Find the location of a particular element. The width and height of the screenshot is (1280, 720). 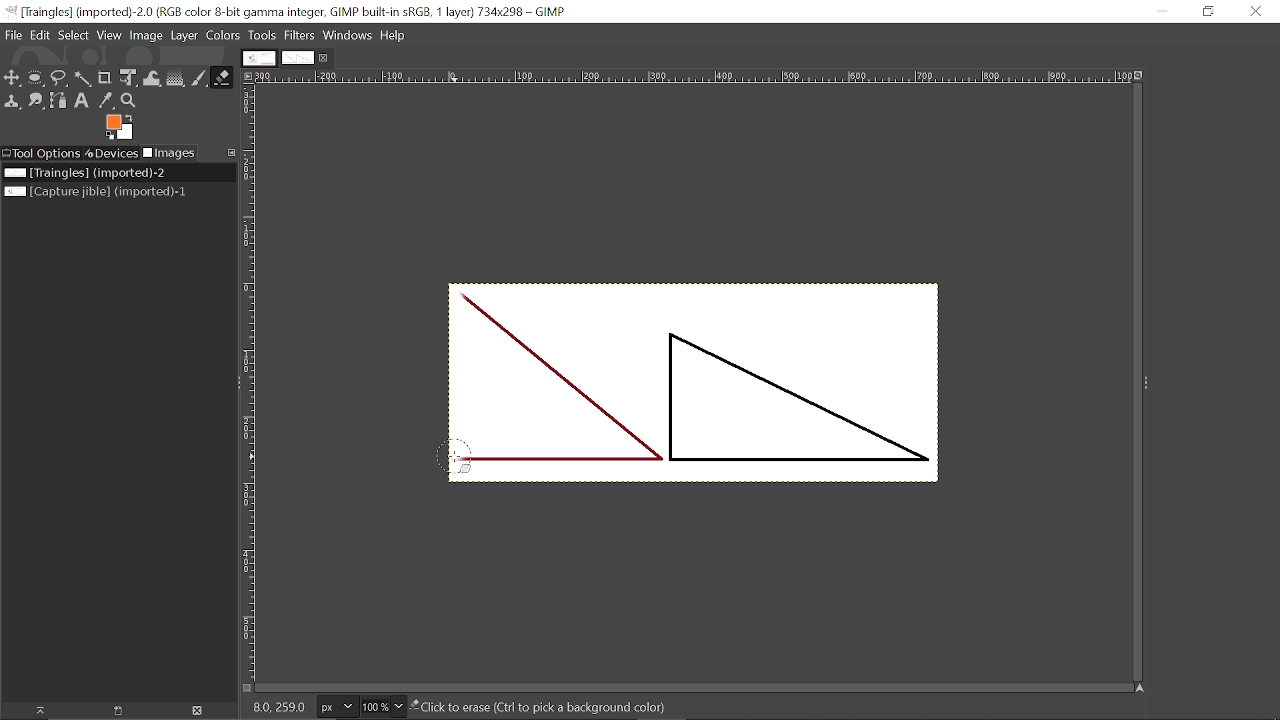

Color picker tool is located at coordinates (105, 101).